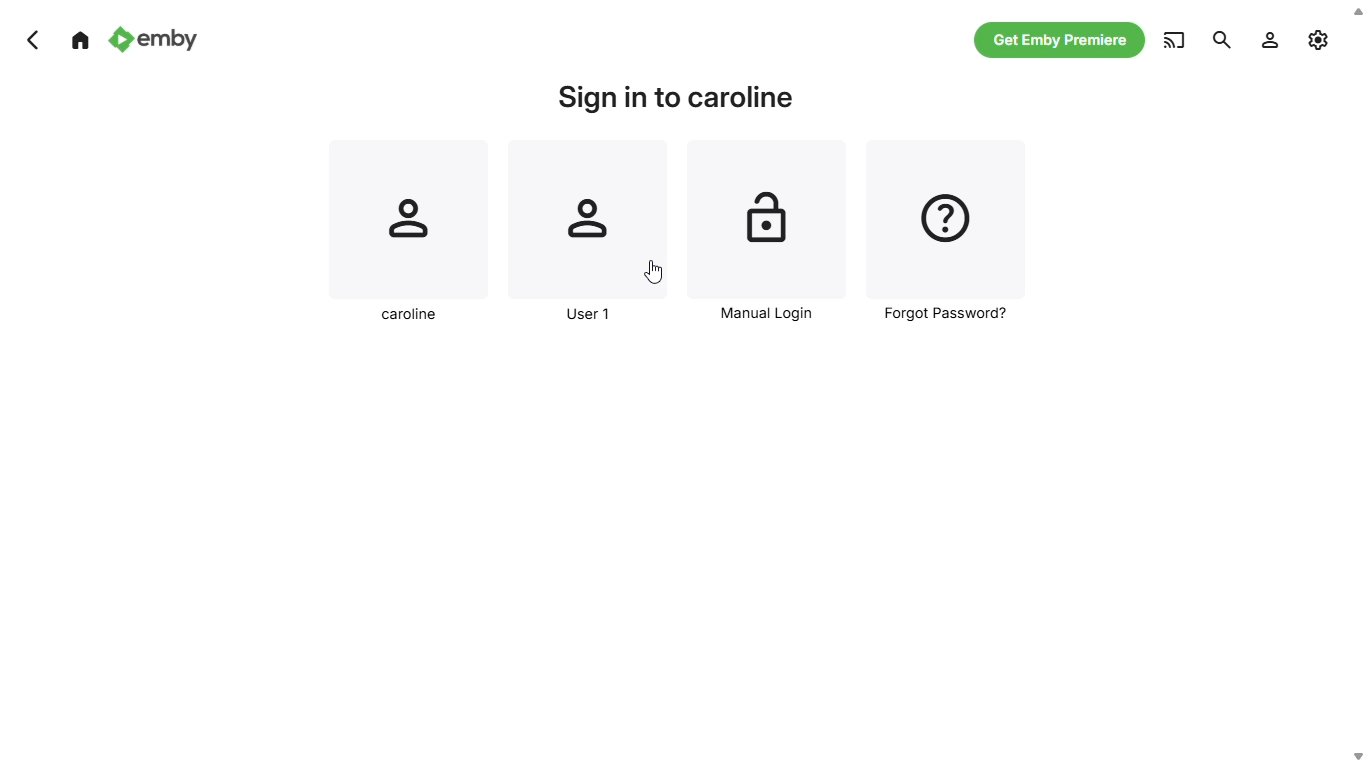  Describe the element at coordinates (942, 233) in the screenshot. I see `forgot password?` at that location.